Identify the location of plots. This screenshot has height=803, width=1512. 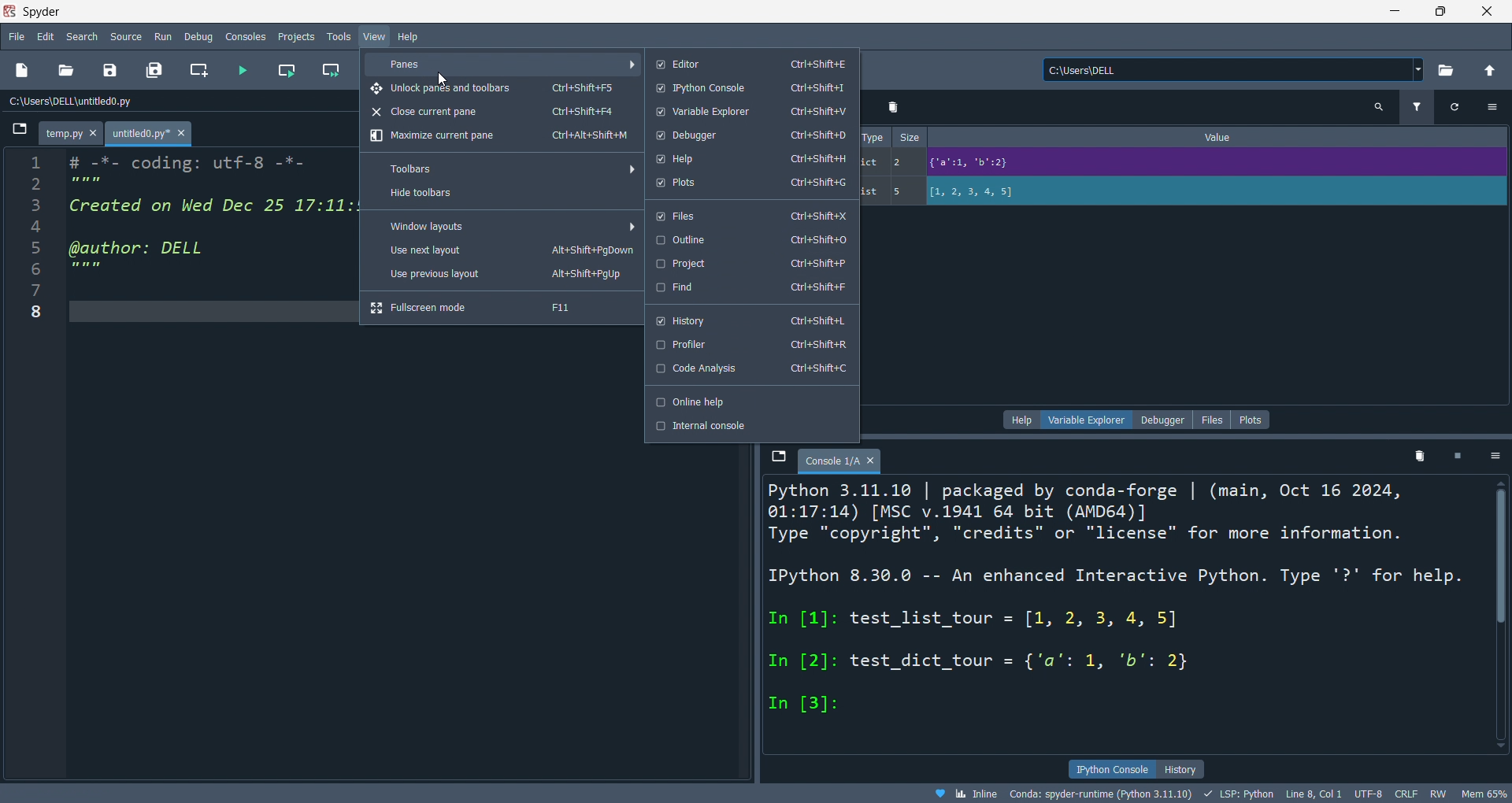
(1250, 420).